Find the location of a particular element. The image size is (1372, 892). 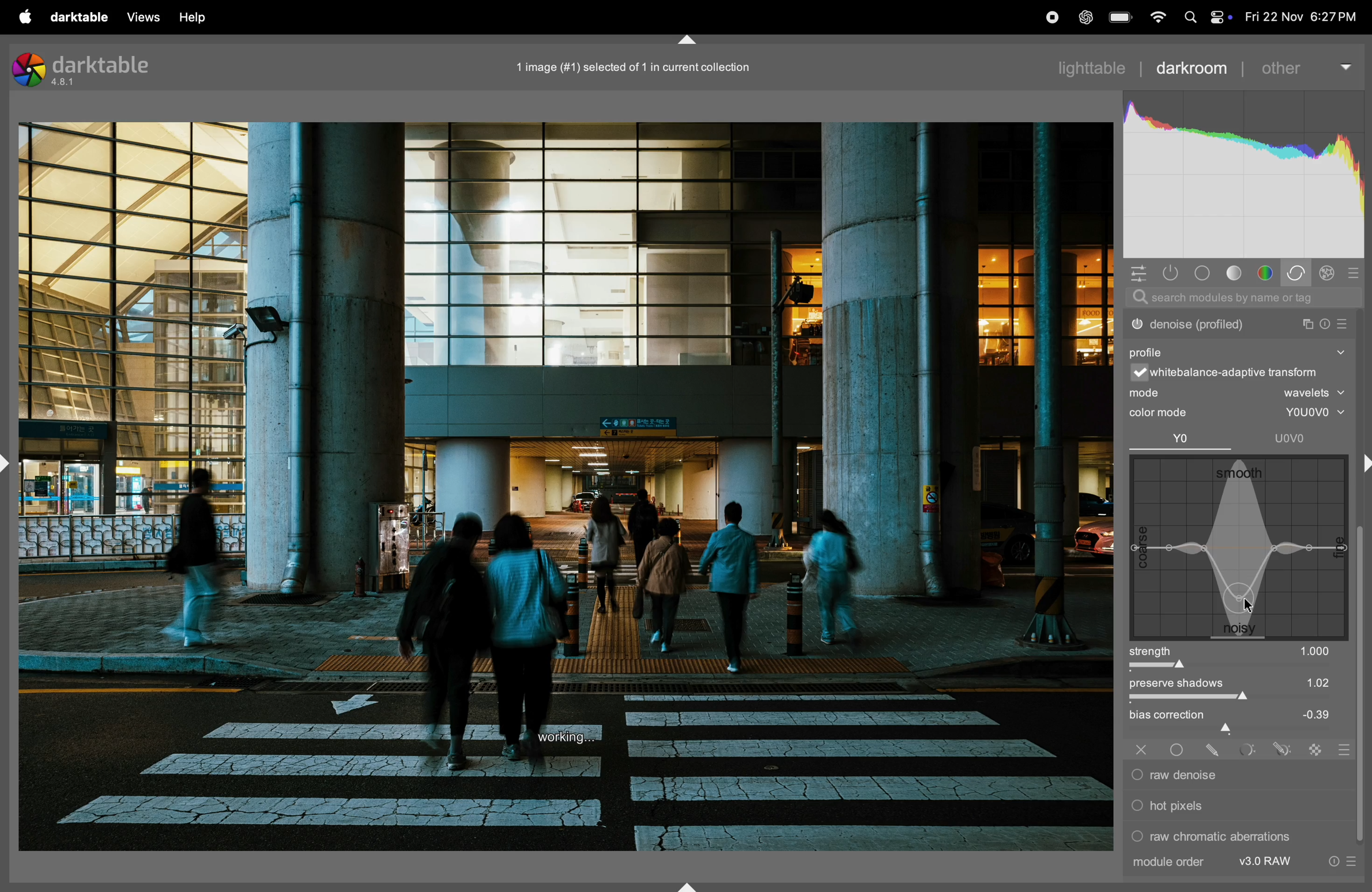

color mode is located at coordinates (1160, 415).